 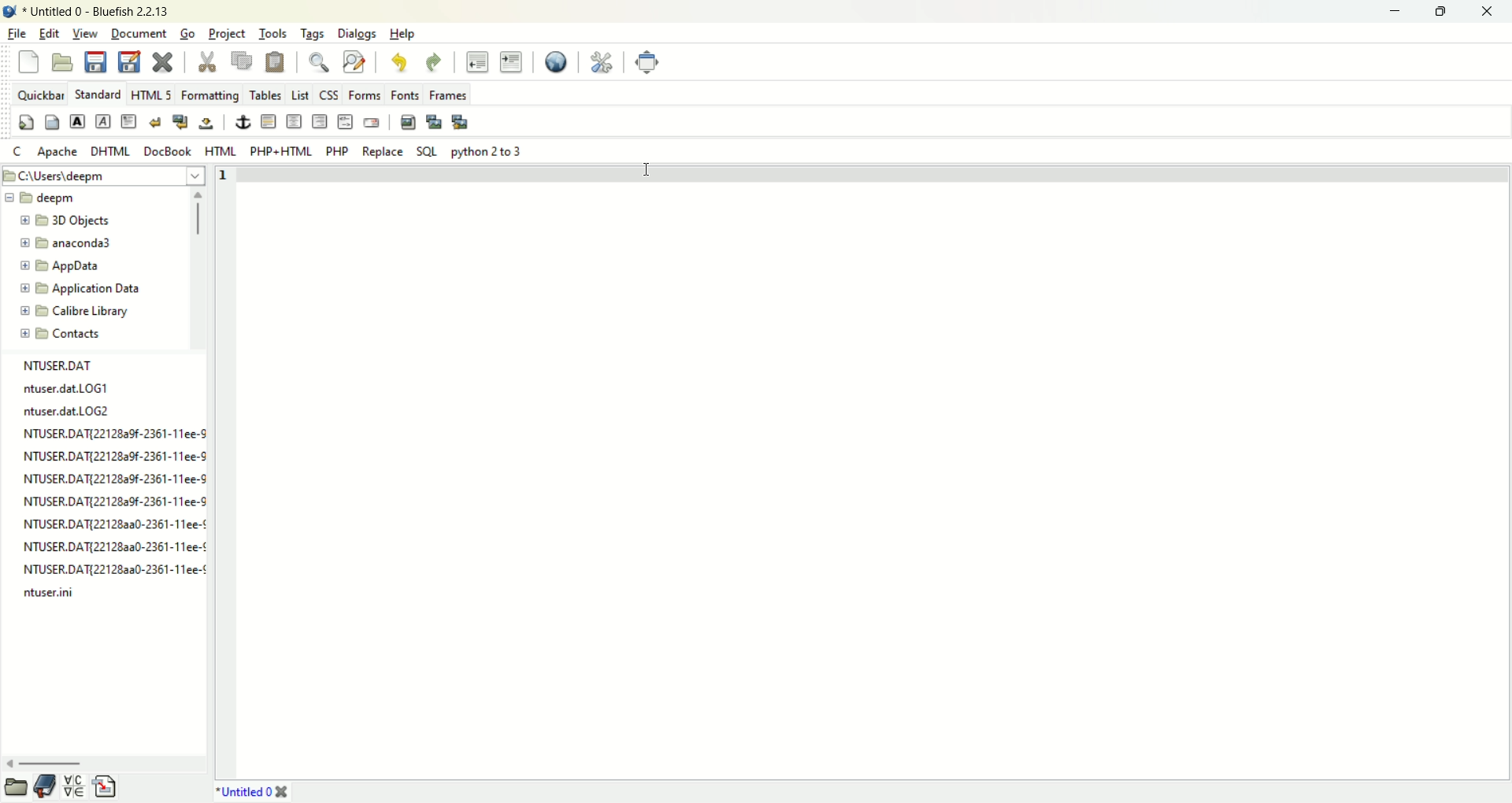 I want to click on Application icon, so click(x=9, y=9).